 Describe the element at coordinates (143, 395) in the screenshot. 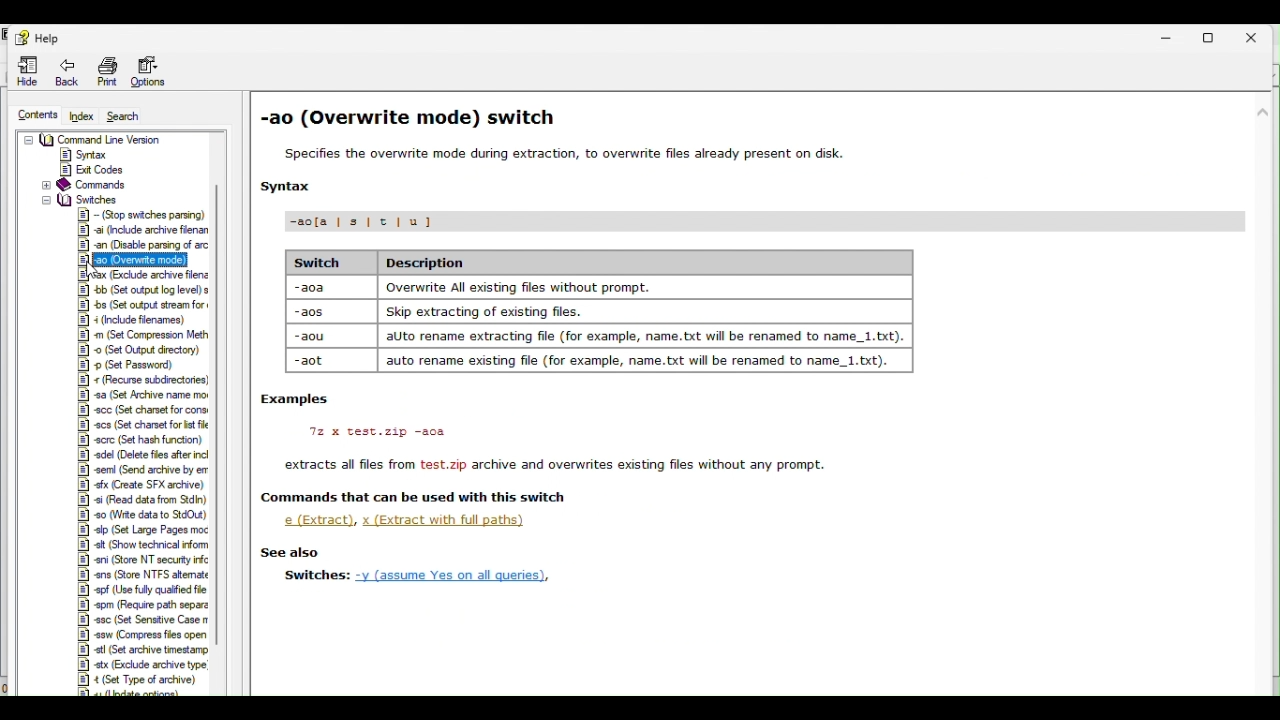

I see `|#] sa (Set Archive name mor` at that location.